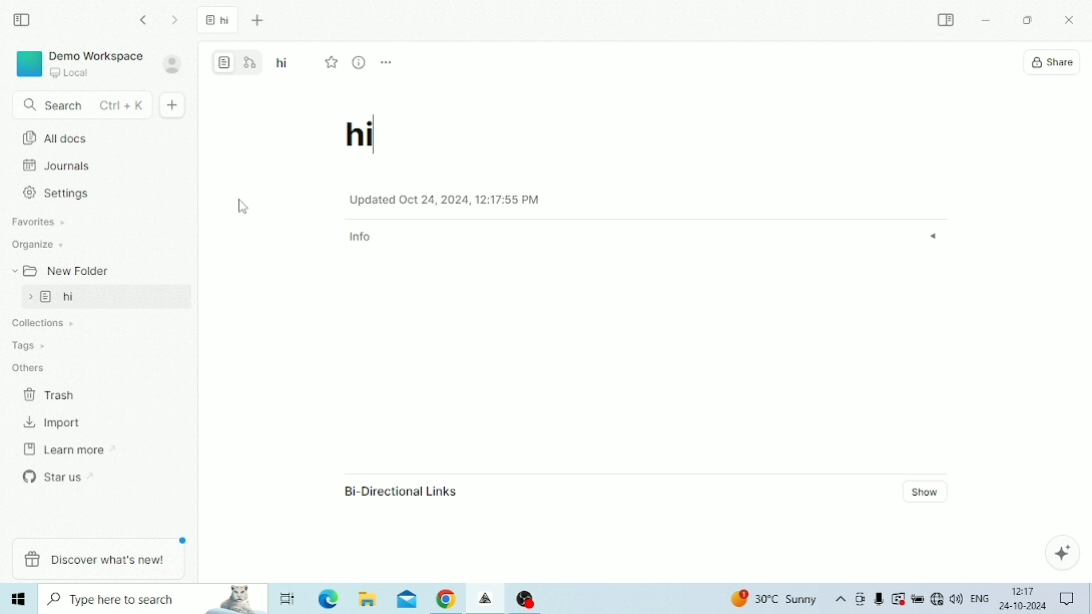  What do you see at coordinates (487, 599) in the screenshot?
I see `Affine` at bounding box center [487, 599].